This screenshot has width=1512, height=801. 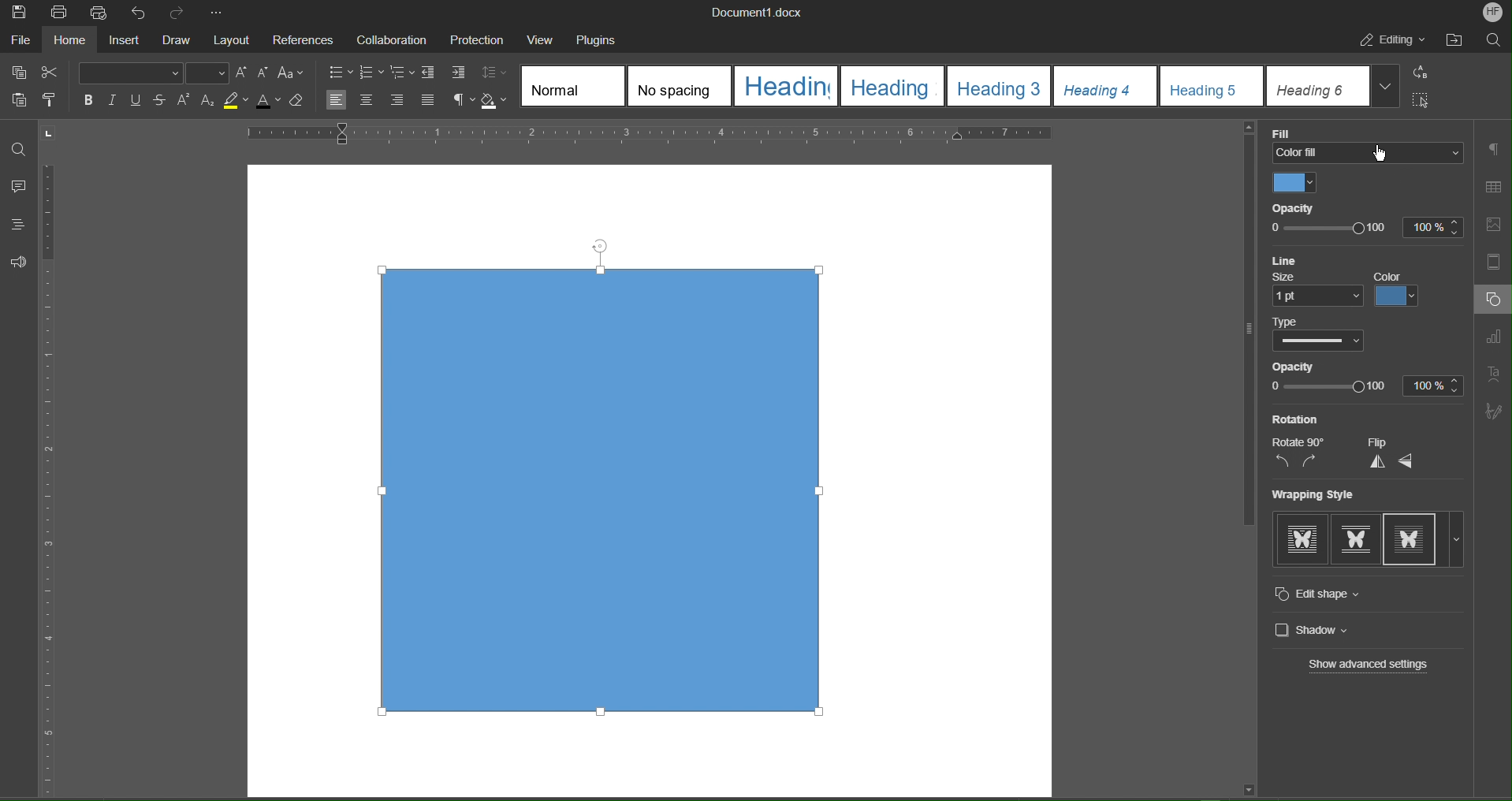 What do you see at coordinates (20, 143) in the screenshot?
I see `Find` at bounding box center [20, 143].